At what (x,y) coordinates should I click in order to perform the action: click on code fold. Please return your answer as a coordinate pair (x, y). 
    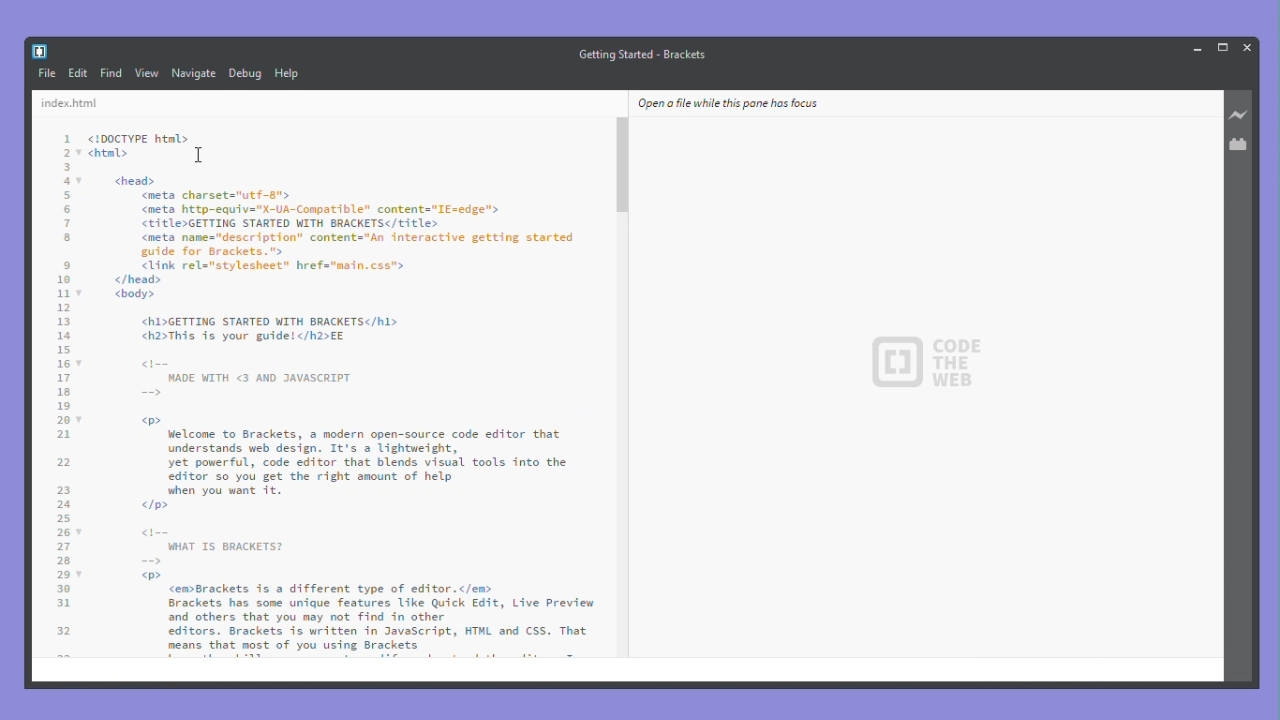
    Looking at the image, I should click on (80, 532).